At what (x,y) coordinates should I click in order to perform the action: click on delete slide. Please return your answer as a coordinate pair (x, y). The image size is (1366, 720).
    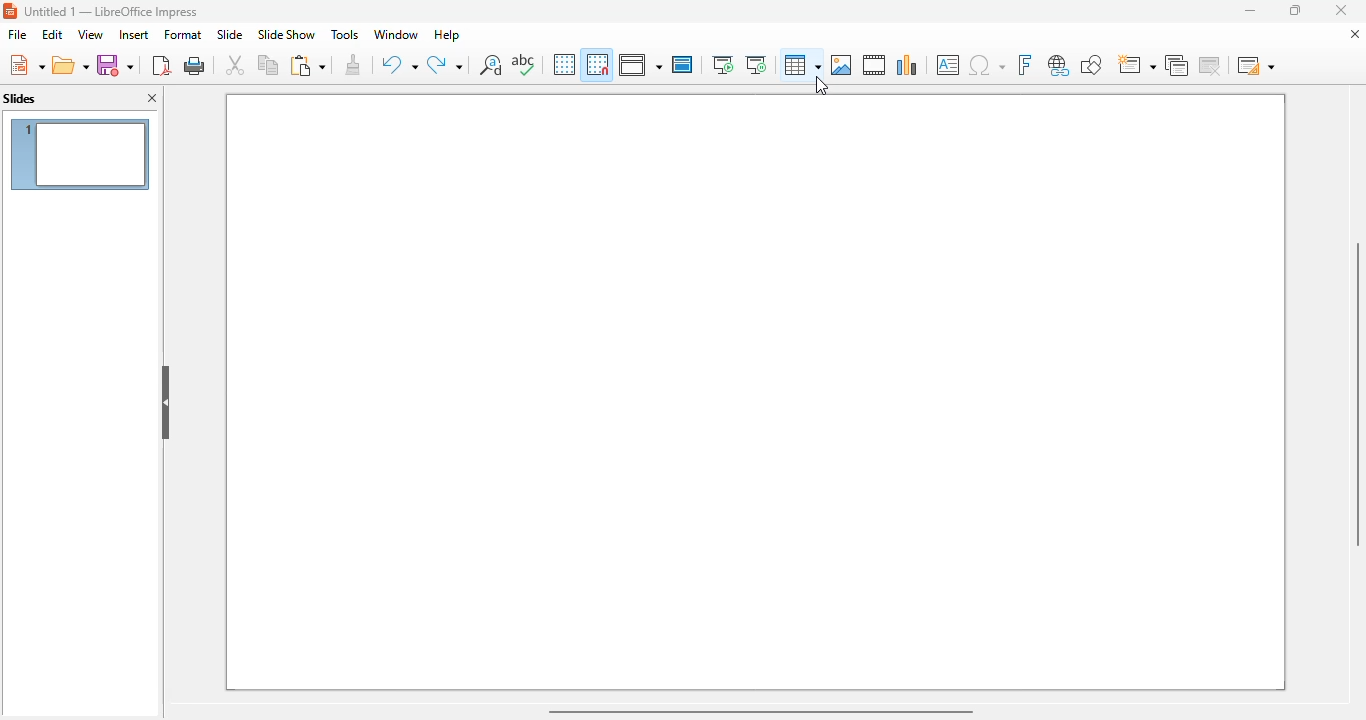
    Looking at the image, I should click on (1210, 65).